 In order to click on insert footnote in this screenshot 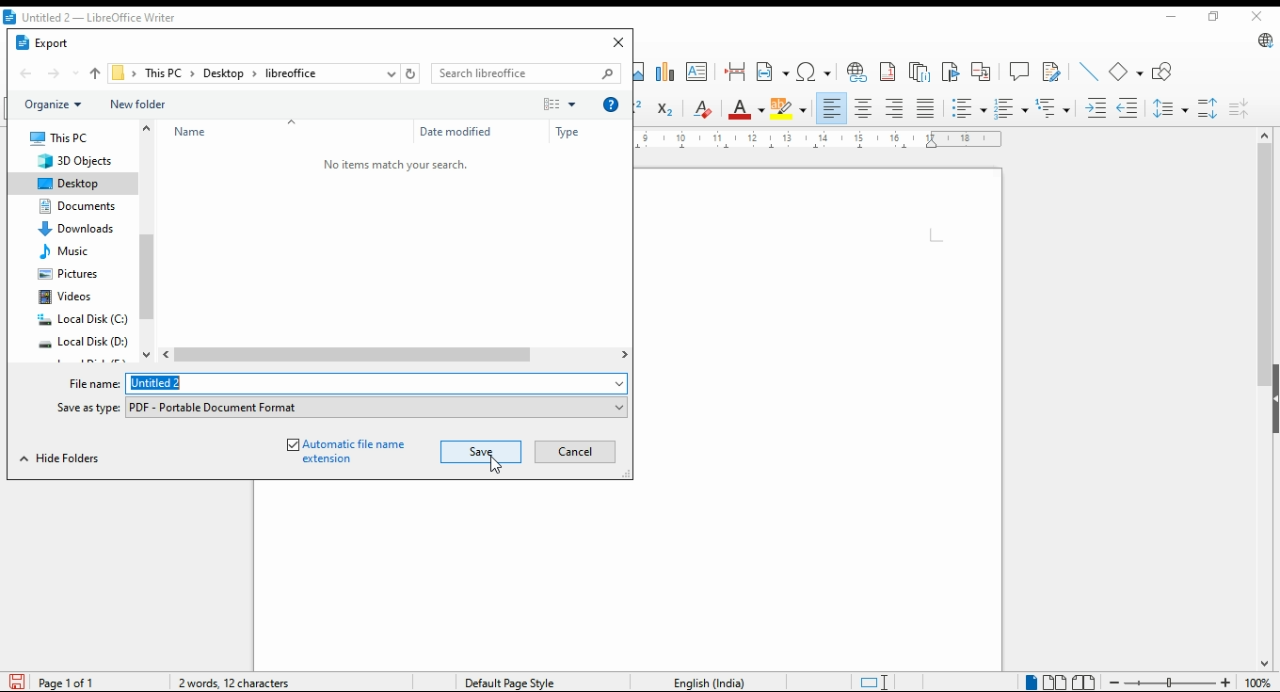, I will do `click(887, 71)`.